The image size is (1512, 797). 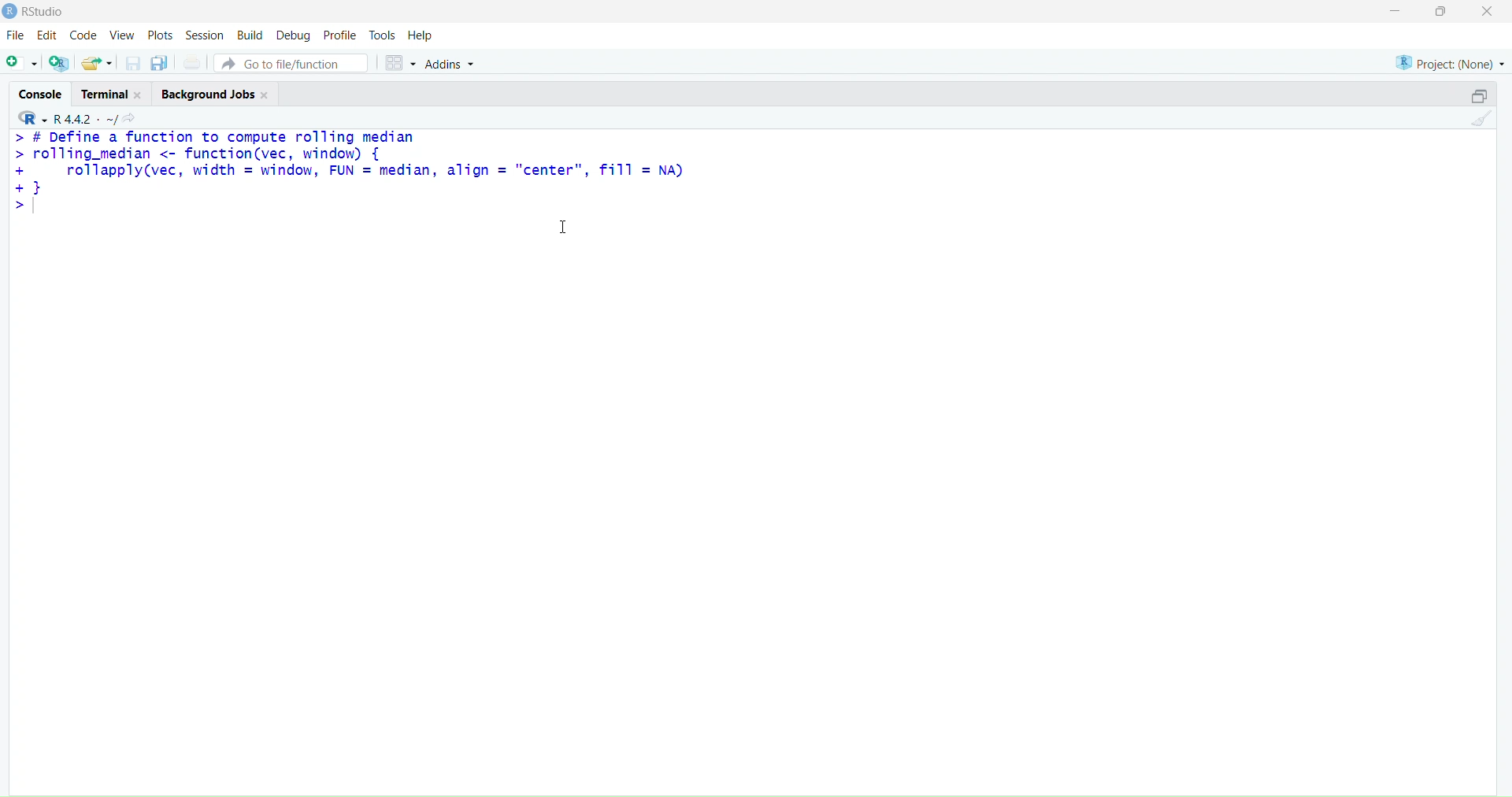 I want to click on tools, so click(x=383, y=35).